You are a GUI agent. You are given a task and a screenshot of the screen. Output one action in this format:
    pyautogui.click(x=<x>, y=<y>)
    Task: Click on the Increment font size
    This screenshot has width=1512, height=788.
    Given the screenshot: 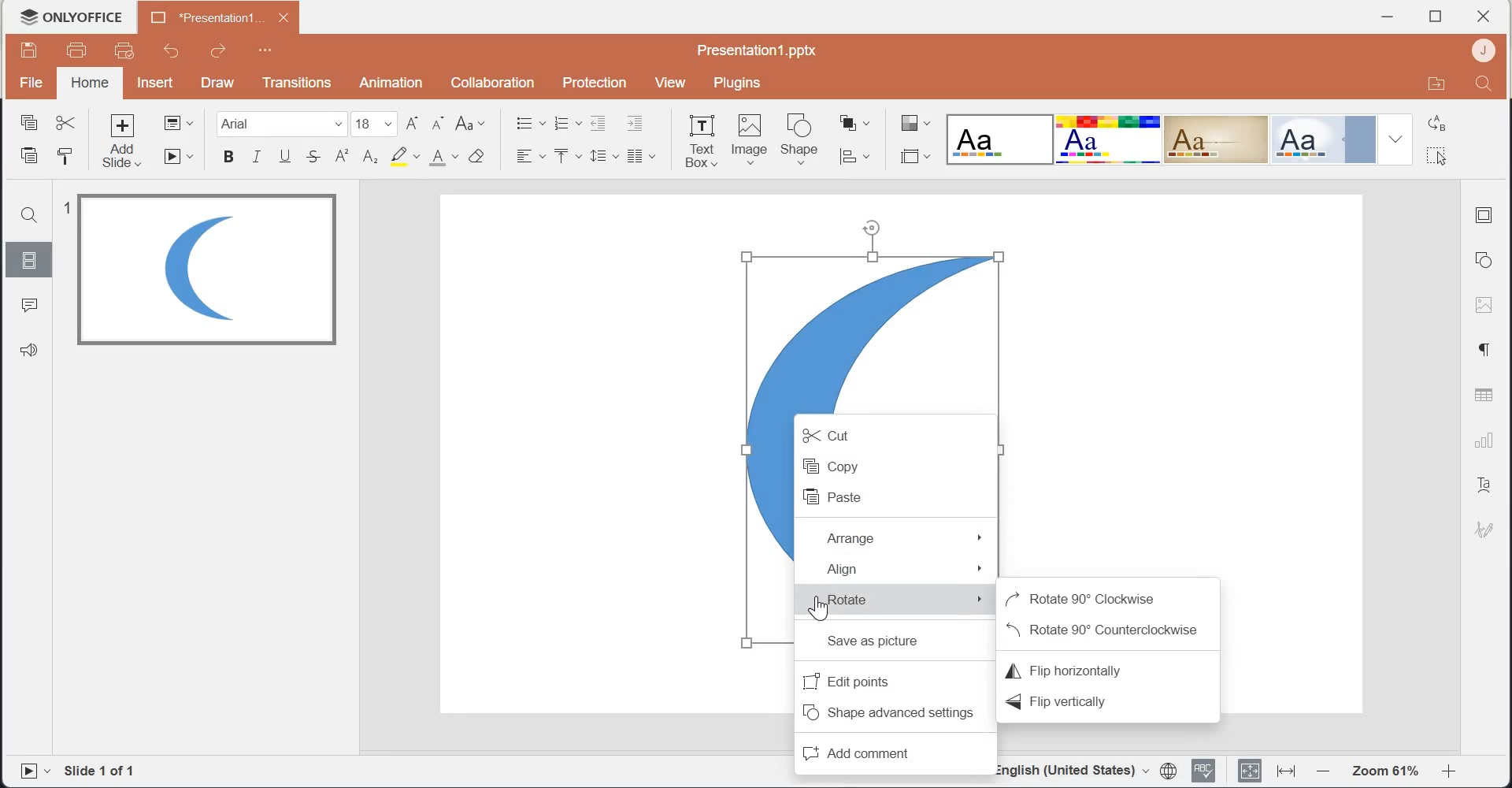 What is the action you would take?
    pyautogui.click(x=412, y=124)
    